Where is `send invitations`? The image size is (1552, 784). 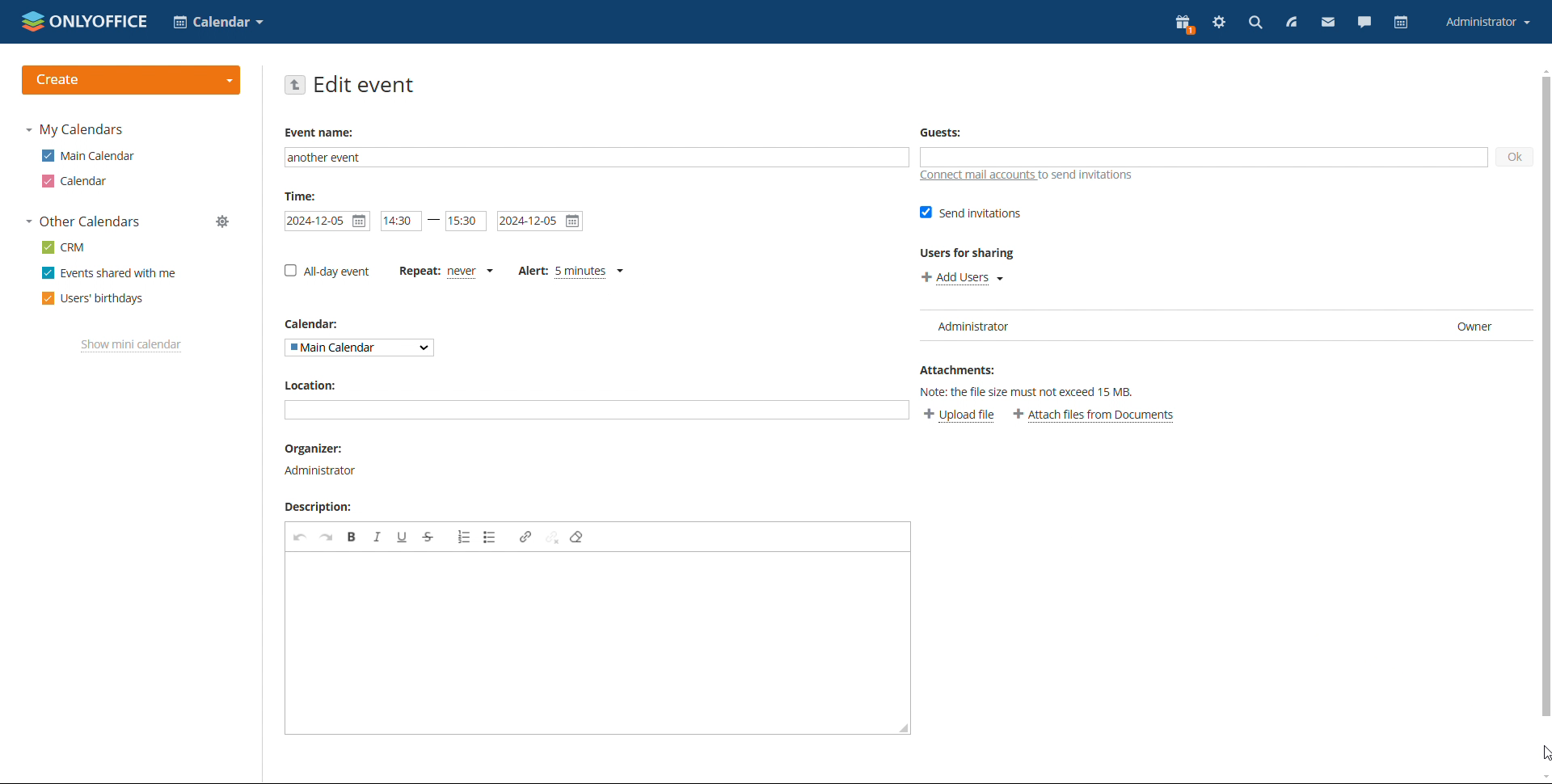 send invitations is located at coordinates (972, 213).